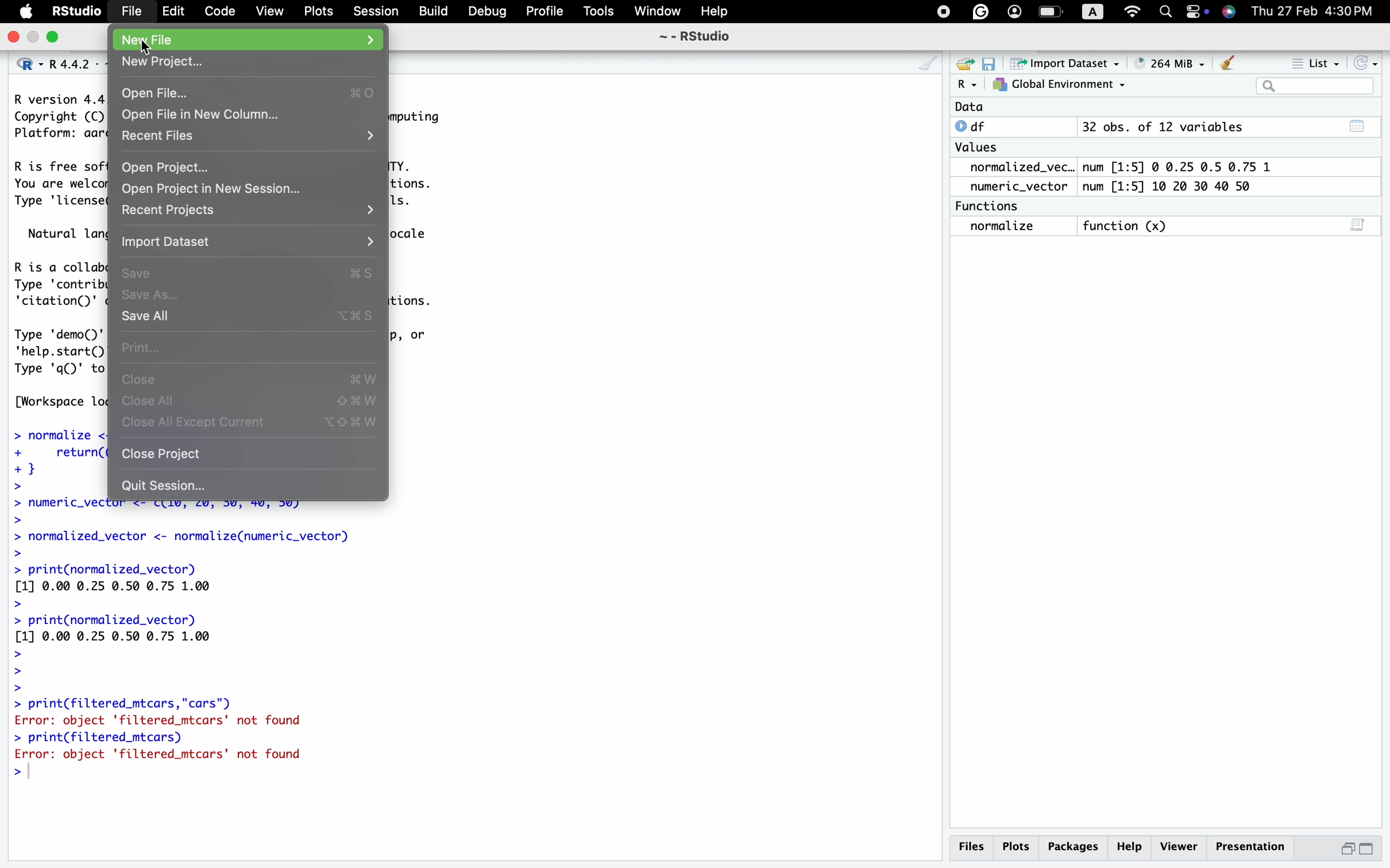 This screenshot has height=868, width=1390. What do you see at coordinates (978, 106) in the screenshot?
I see `date` at bounding box center [978, 106].